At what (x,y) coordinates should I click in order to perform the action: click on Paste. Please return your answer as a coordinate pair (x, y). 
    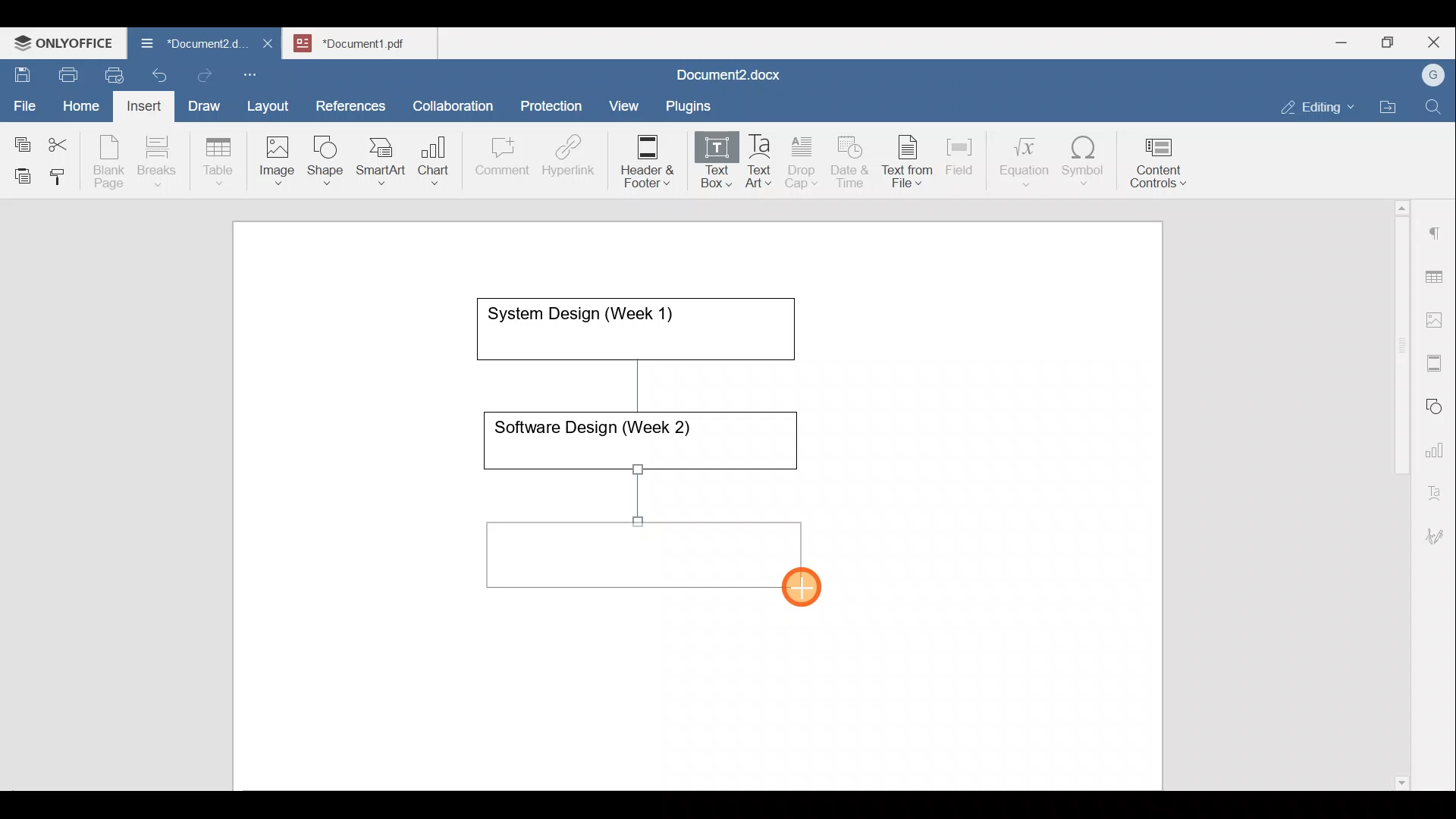
    Looking at the image, I should click on (19, 172).